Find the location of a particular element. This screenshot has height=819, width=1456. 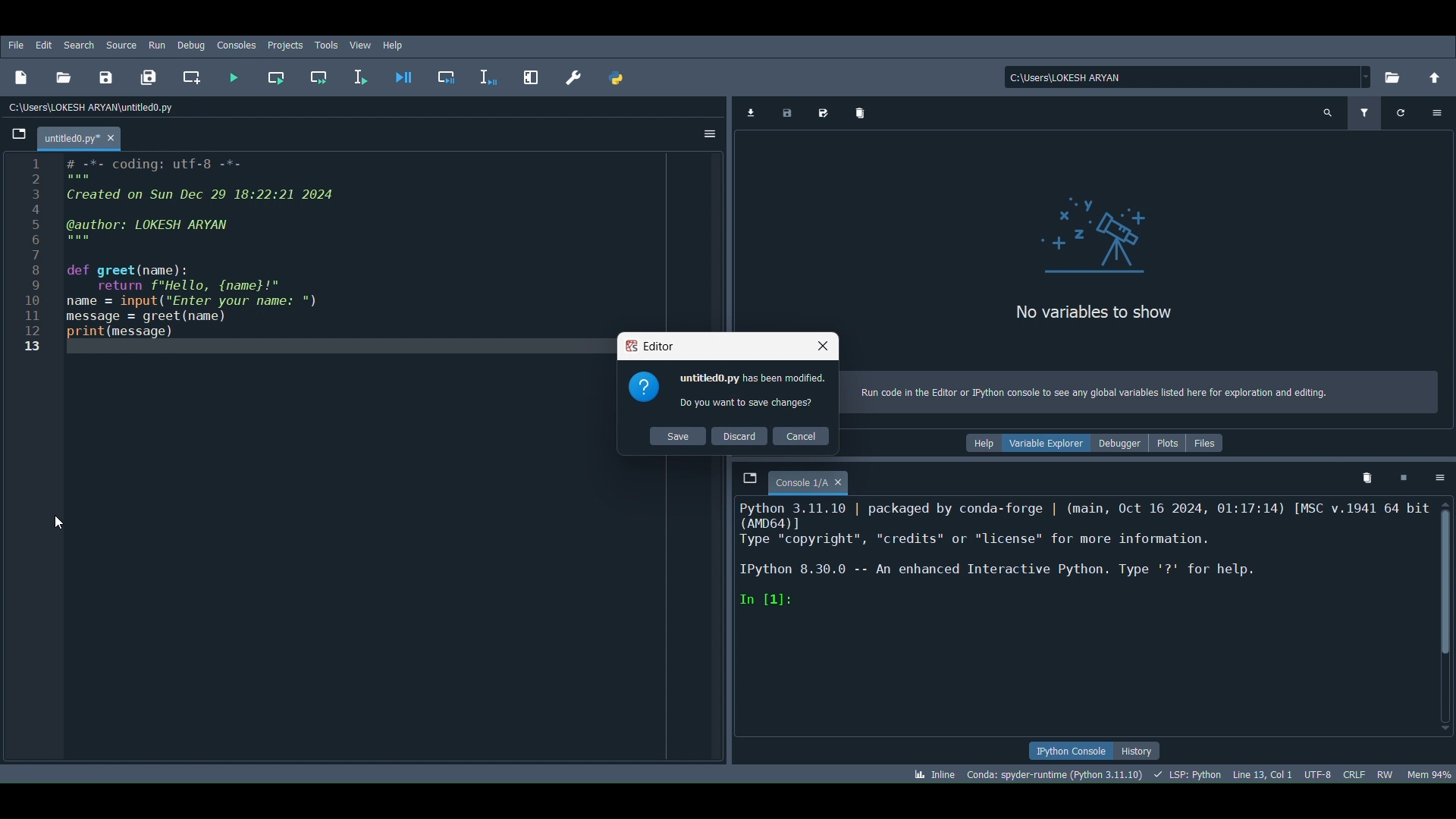

File EOL status is located at coordinates (1352, 773).